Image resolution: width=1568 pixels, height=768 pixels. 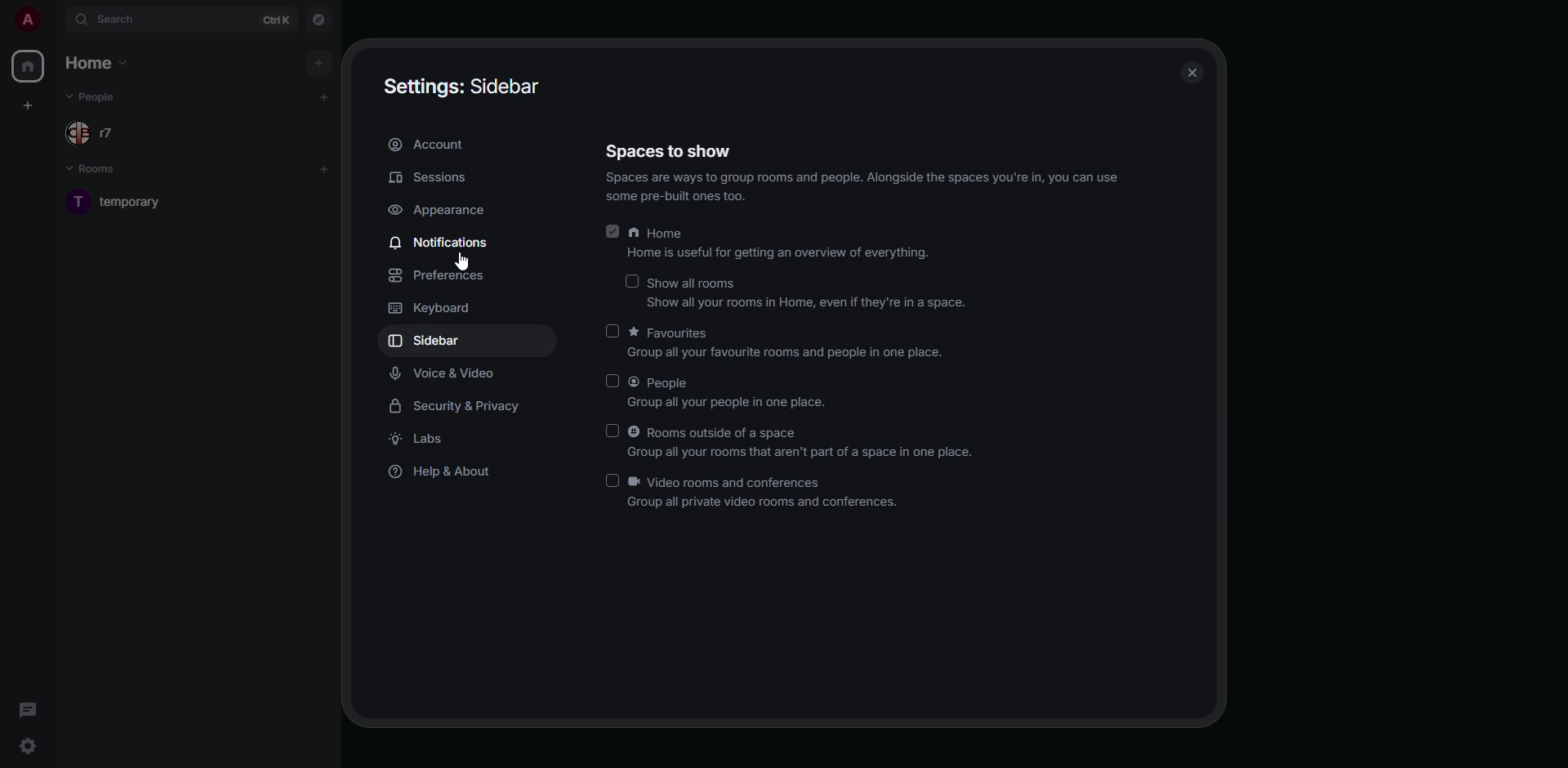 I want to click on enabled, so click(x=614, y=233).